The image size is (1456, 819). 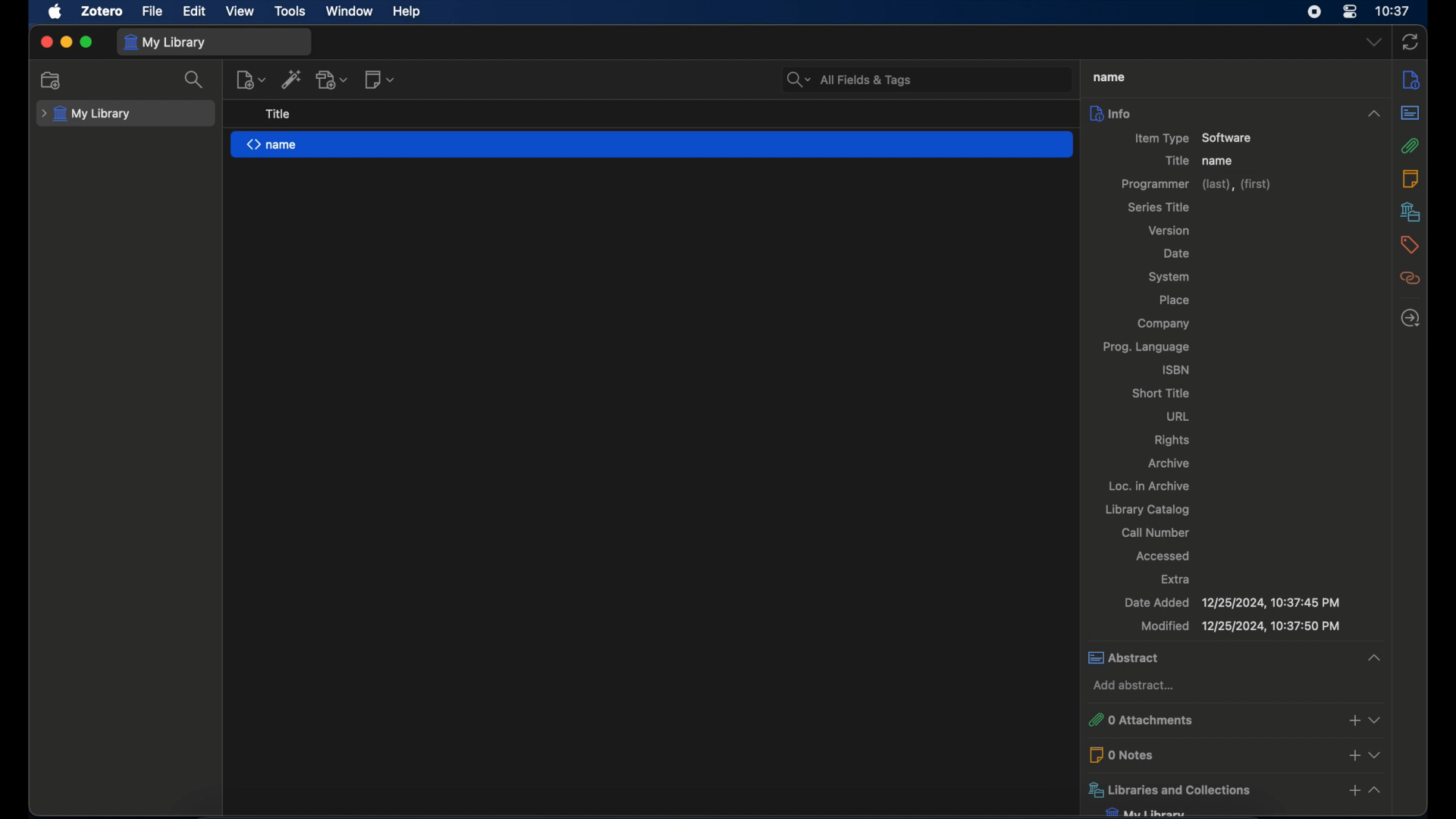 What do you see at coordinates (651, 145) in the screenshot?
I see `name` at bounding box center [651, 145].